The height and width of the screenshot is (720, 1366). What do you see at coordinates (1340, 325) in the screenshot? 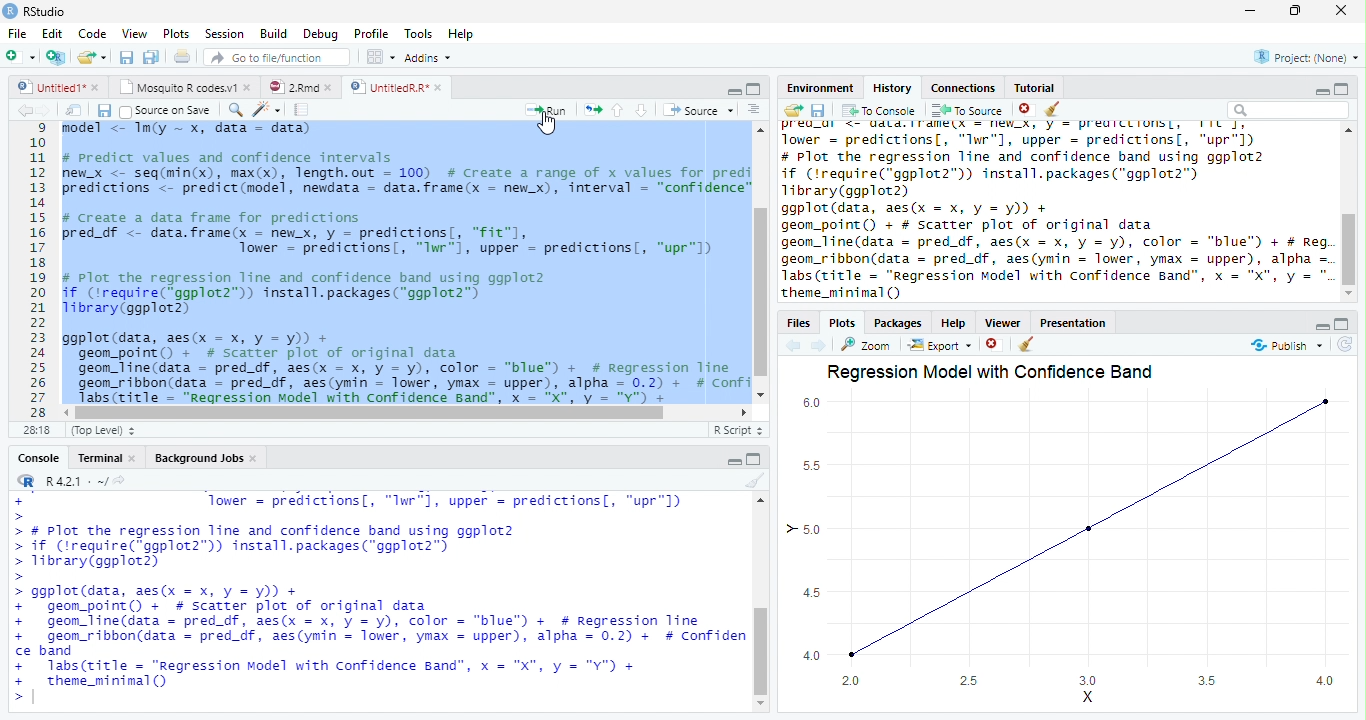
I see `Maximize` at bounding box center [1340, 325].